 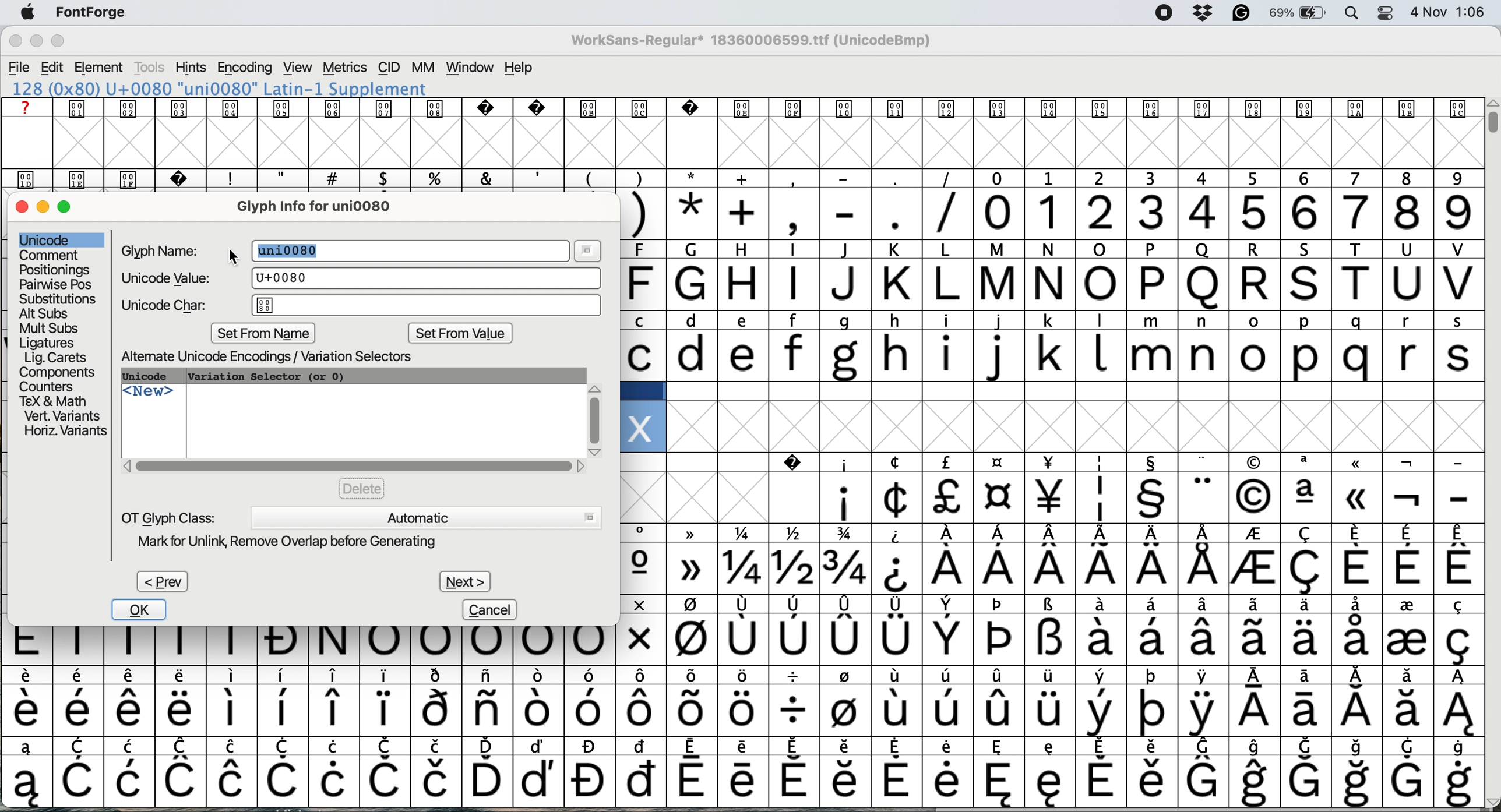 I want to click on special characters and text, so click(x=747, y=178).